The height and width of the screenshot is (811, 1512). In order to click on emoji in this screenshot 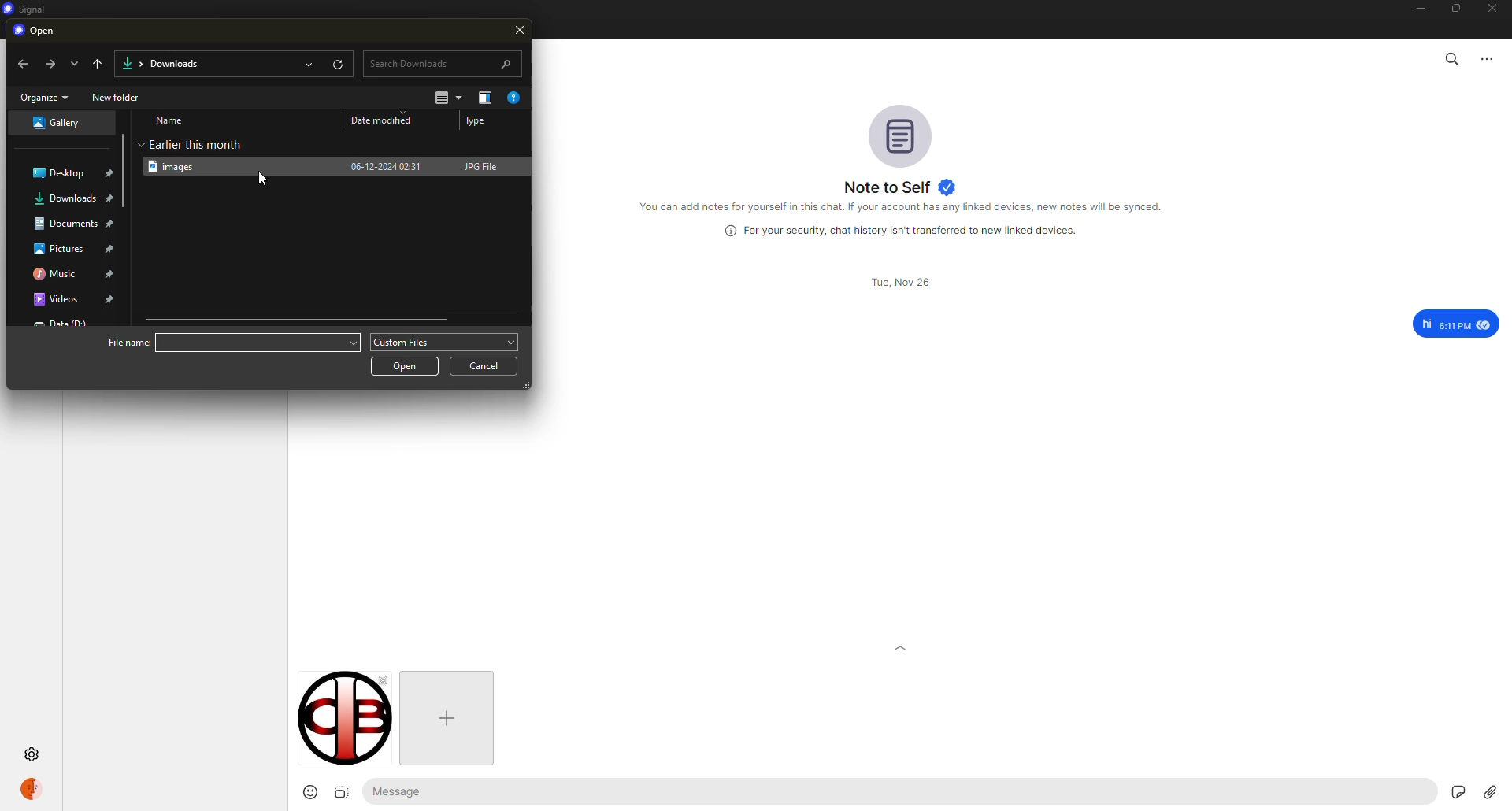, I will do `click(303, 792)`.